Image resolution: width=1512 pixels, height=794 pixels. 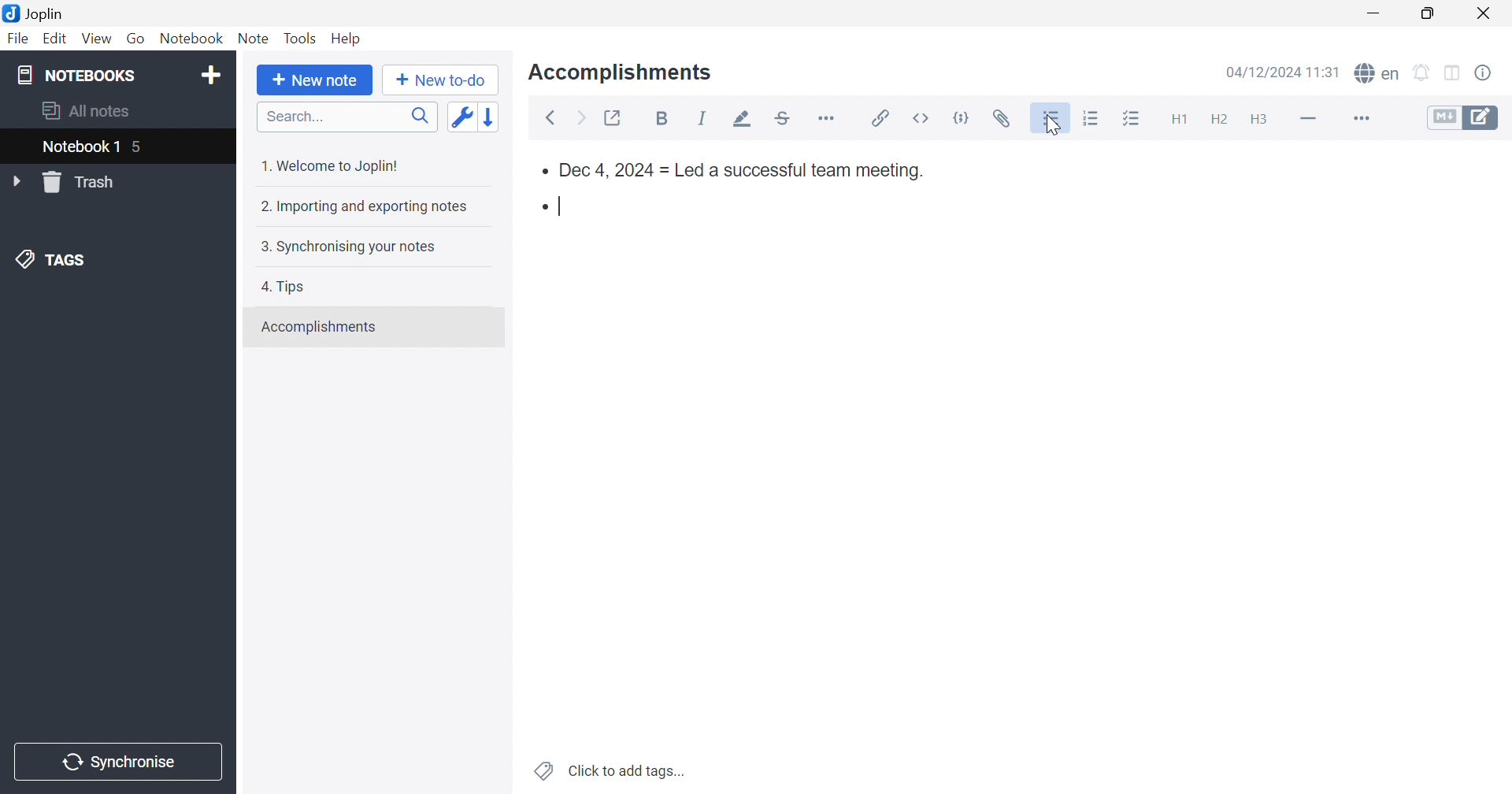 What do you see at coordinates (321, 327) in the screenshot?
I see `Accomplishments` at bounding box center [321, 327].